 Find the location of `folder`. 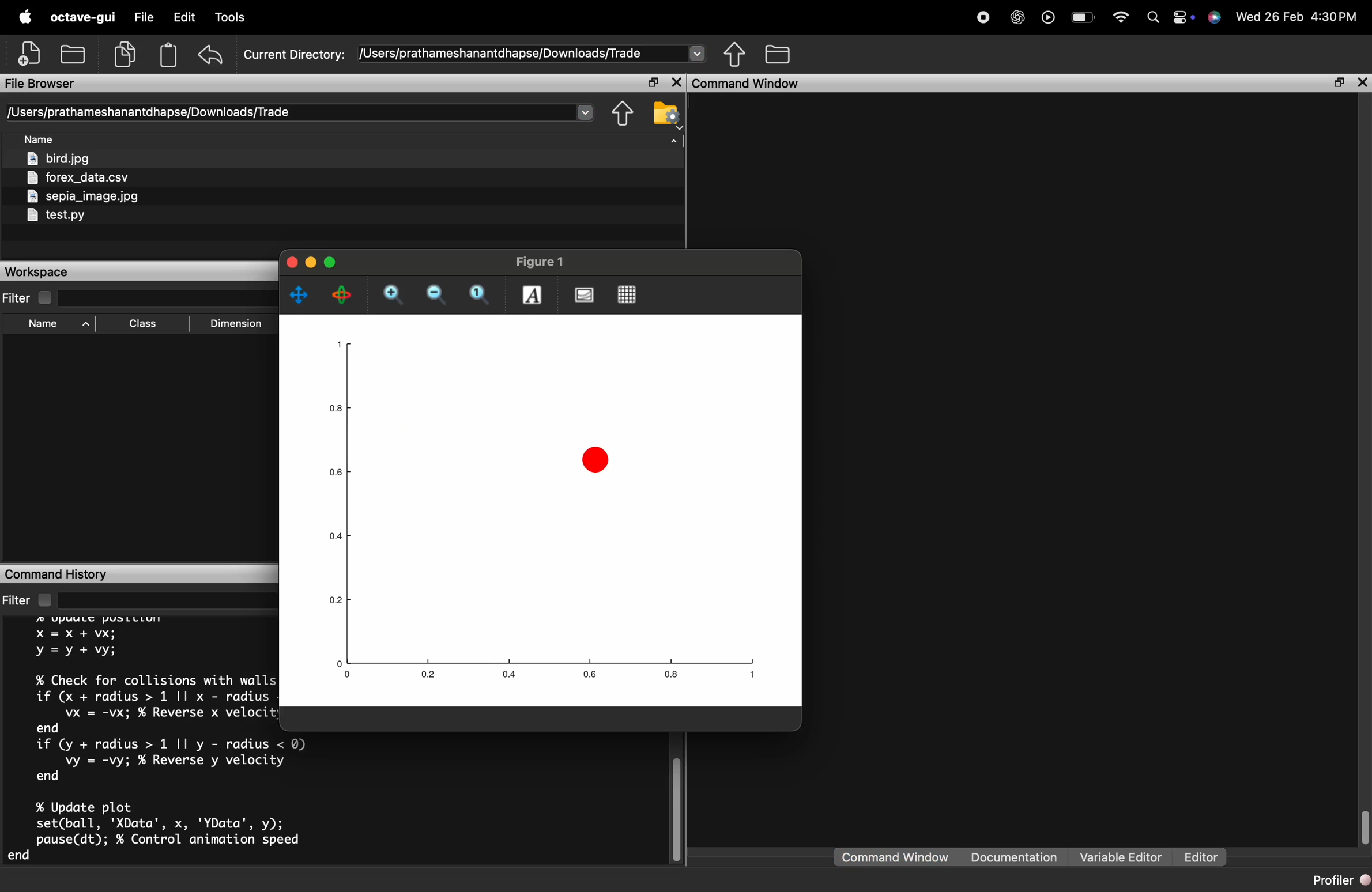

folder is located at coordinates (778, 54).